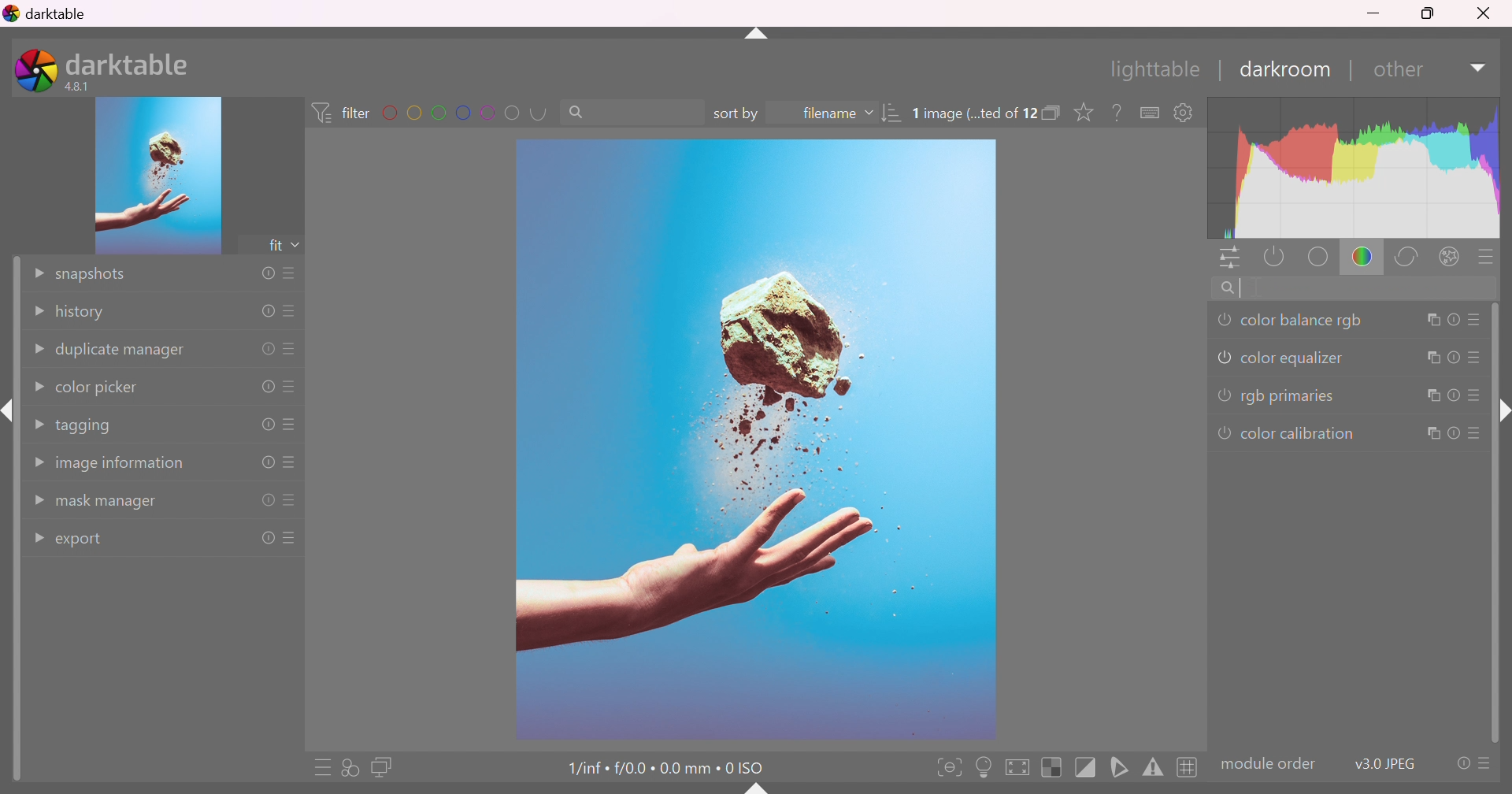 The width and height of the screenshot is (1512, 794). I want to click on presets, so click(294, 349).